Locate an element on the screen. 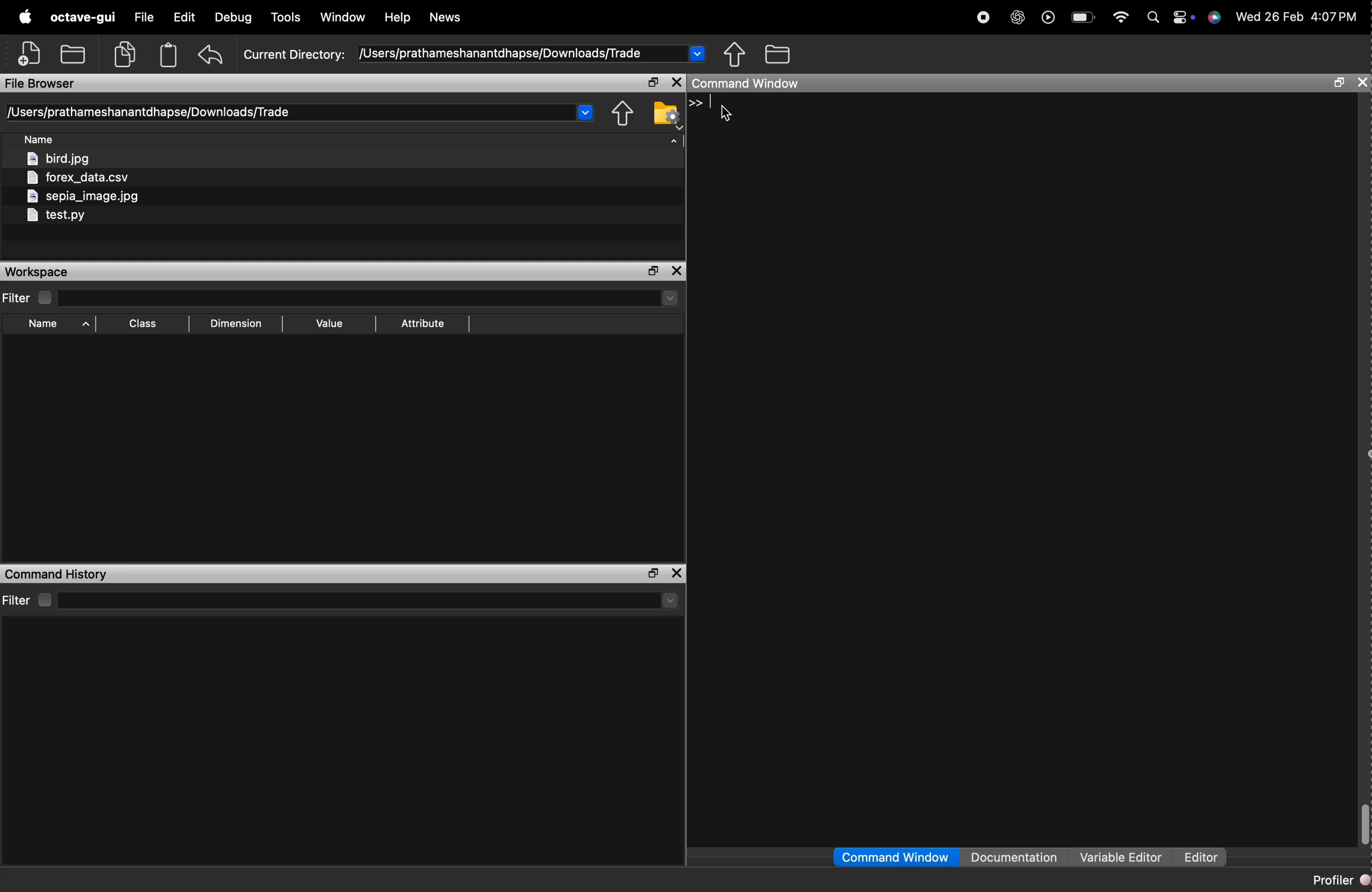 This screenshot has height=892, width=1372. octave-gui is located at coordinates (84, 18).